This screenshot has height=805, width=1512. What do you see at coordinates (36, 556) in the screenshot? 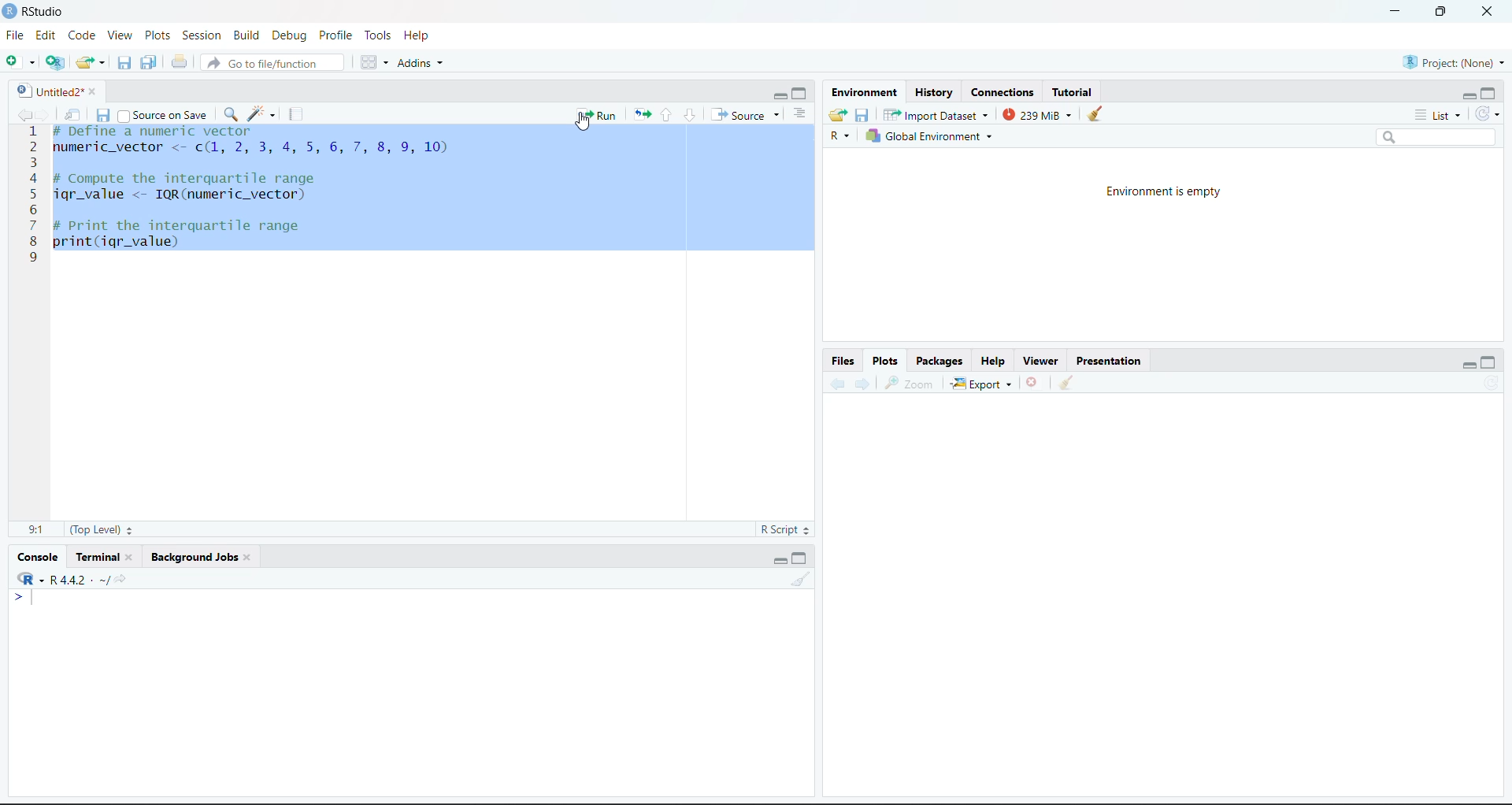
I see `Console` at bounding box center [36, 556].